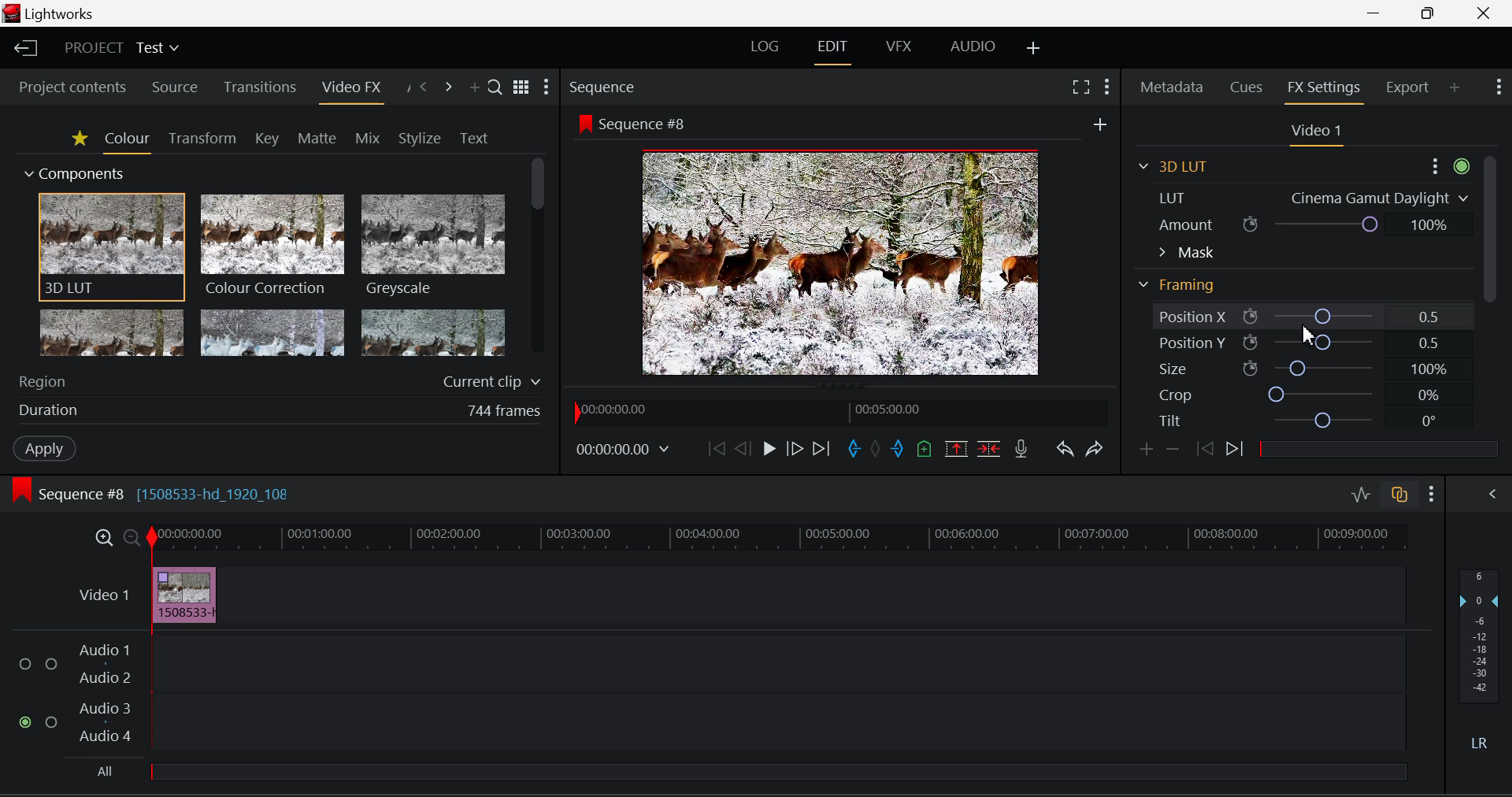  Describe the element at coordinates (1430, 13) in the screenshot. I see `Minimize` at that location.